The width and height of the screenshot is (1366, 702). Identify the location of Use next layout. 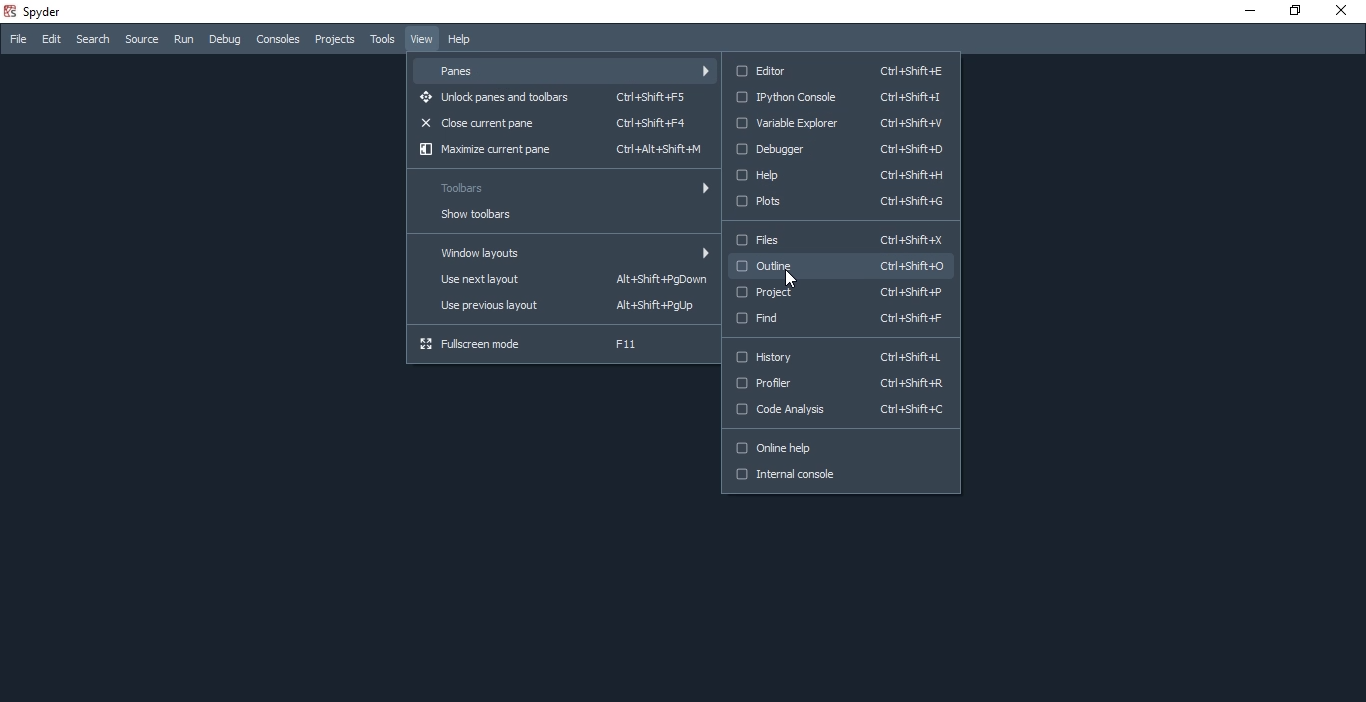
(558, 282).